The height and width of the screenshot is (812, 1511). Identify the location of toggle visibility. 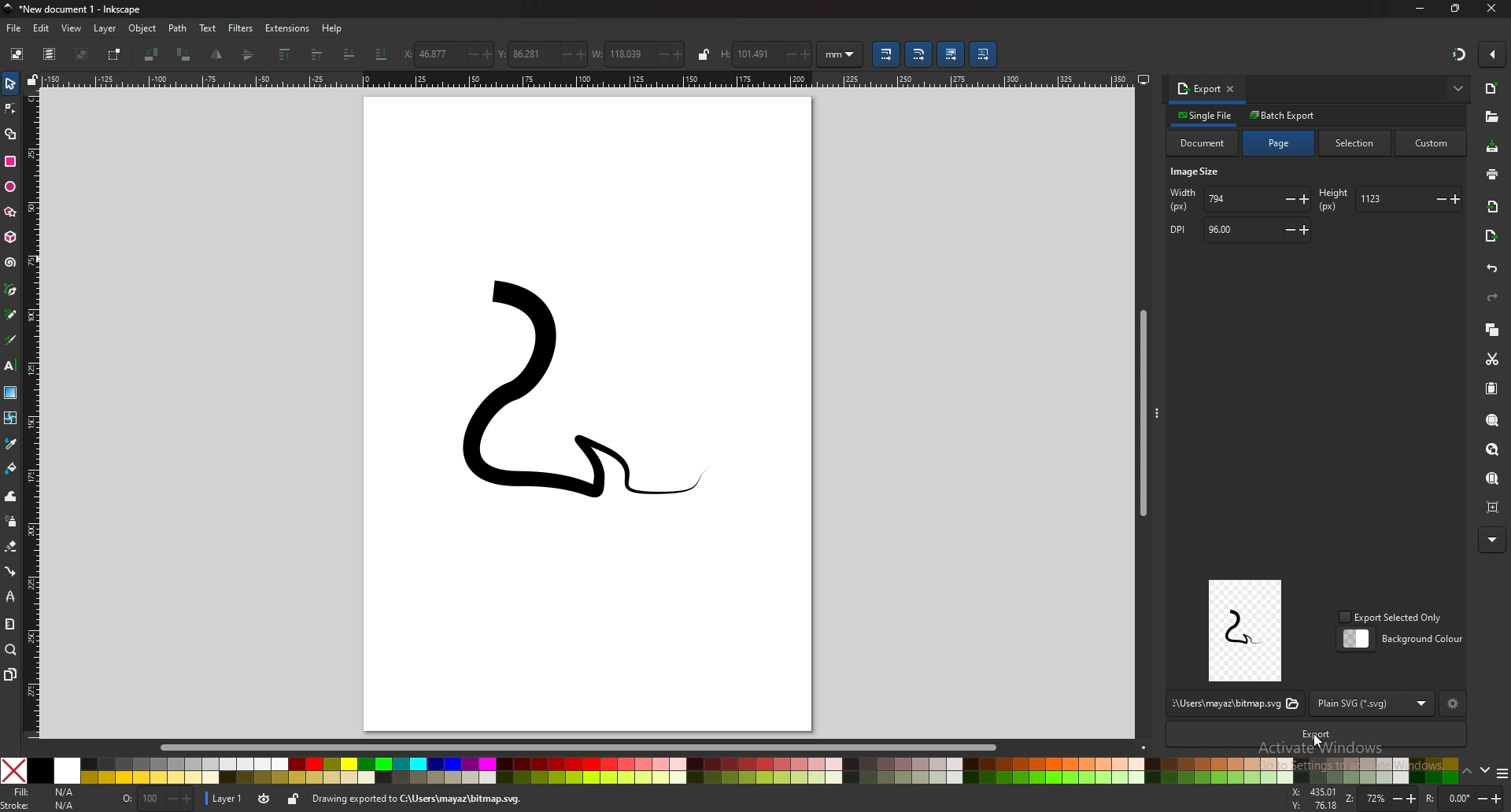
(264, 799).